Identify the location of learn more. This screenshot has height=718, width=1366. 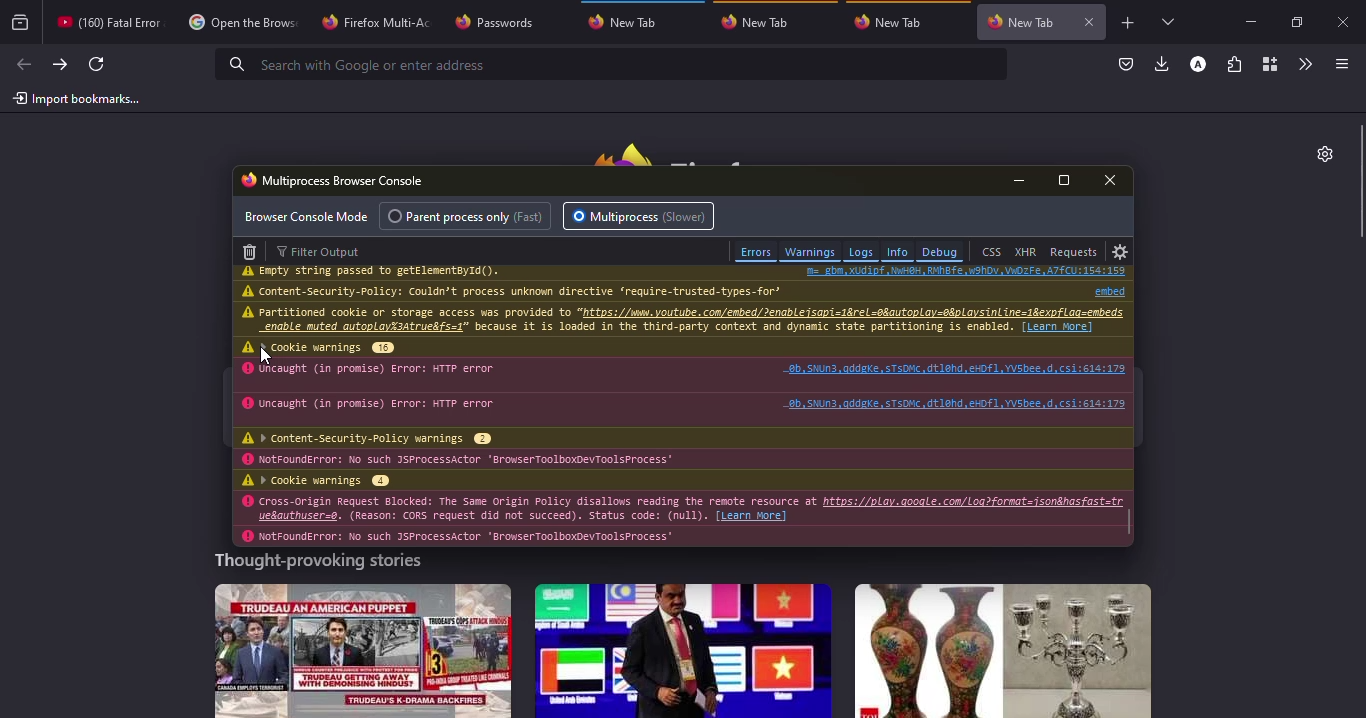
(755, 516).